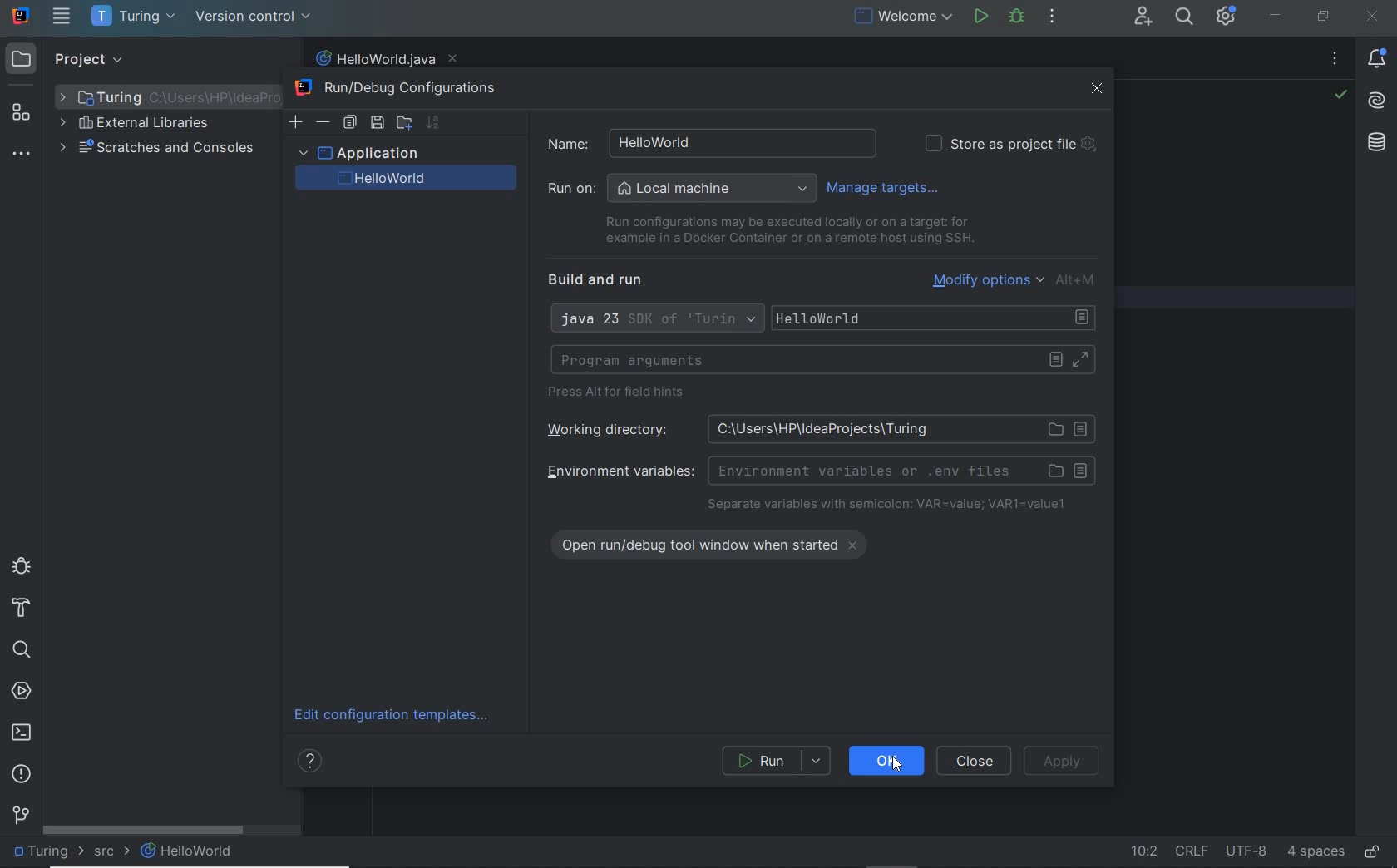 Image resolution: width=1397 pixels, height=868 pixels. I want to click on external libraries, so click(134, 125).